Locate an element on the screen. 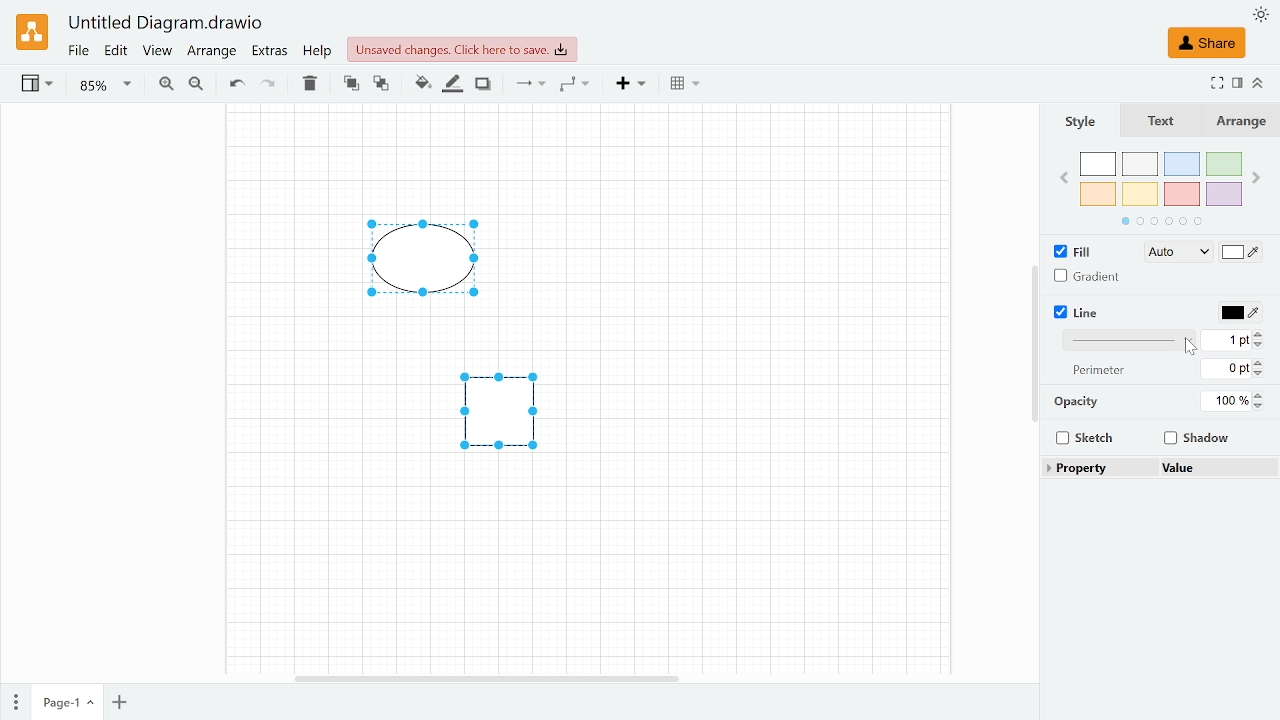 This screenshot has height=720, width=1280. Format is located at coordinates (1238, 83).